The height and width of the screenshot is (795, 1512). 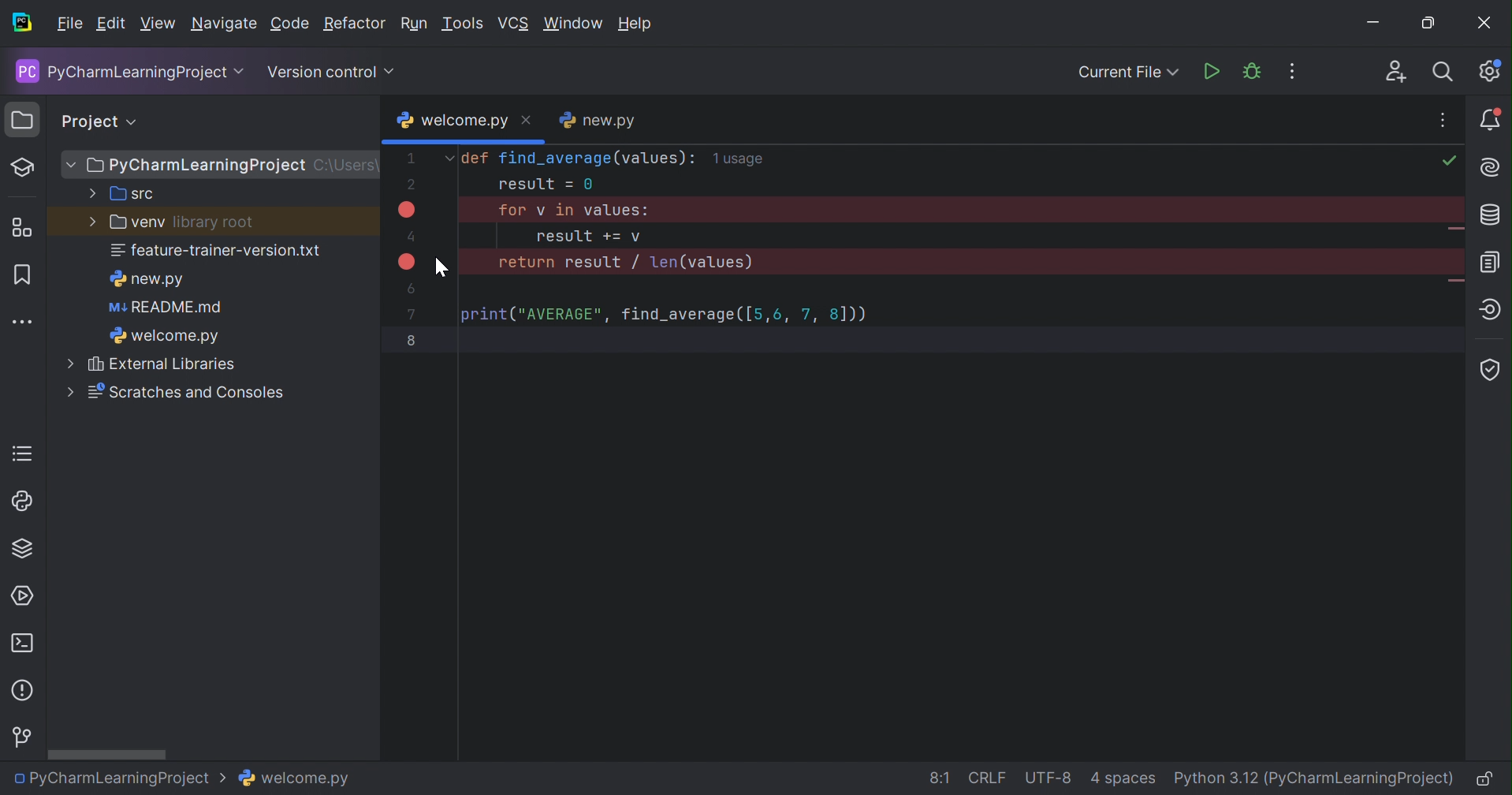 What do you see at coordinates (123, 195) in the screenshot?
I see `src` at bounding box center [123, 195].